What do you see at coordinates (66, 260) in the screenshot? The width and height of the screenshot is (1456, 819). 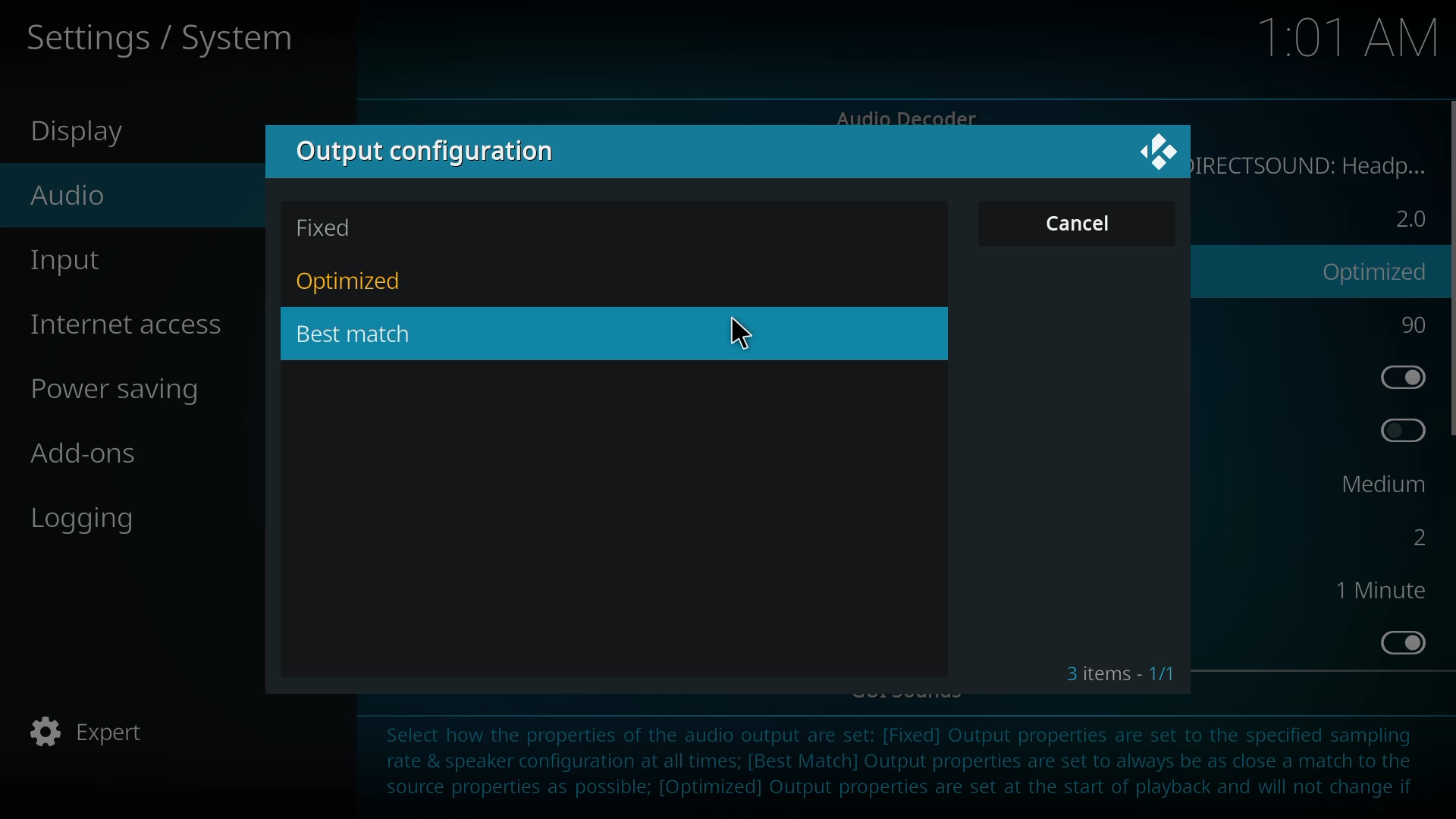 I see `input` at bounding box center [66, 260].